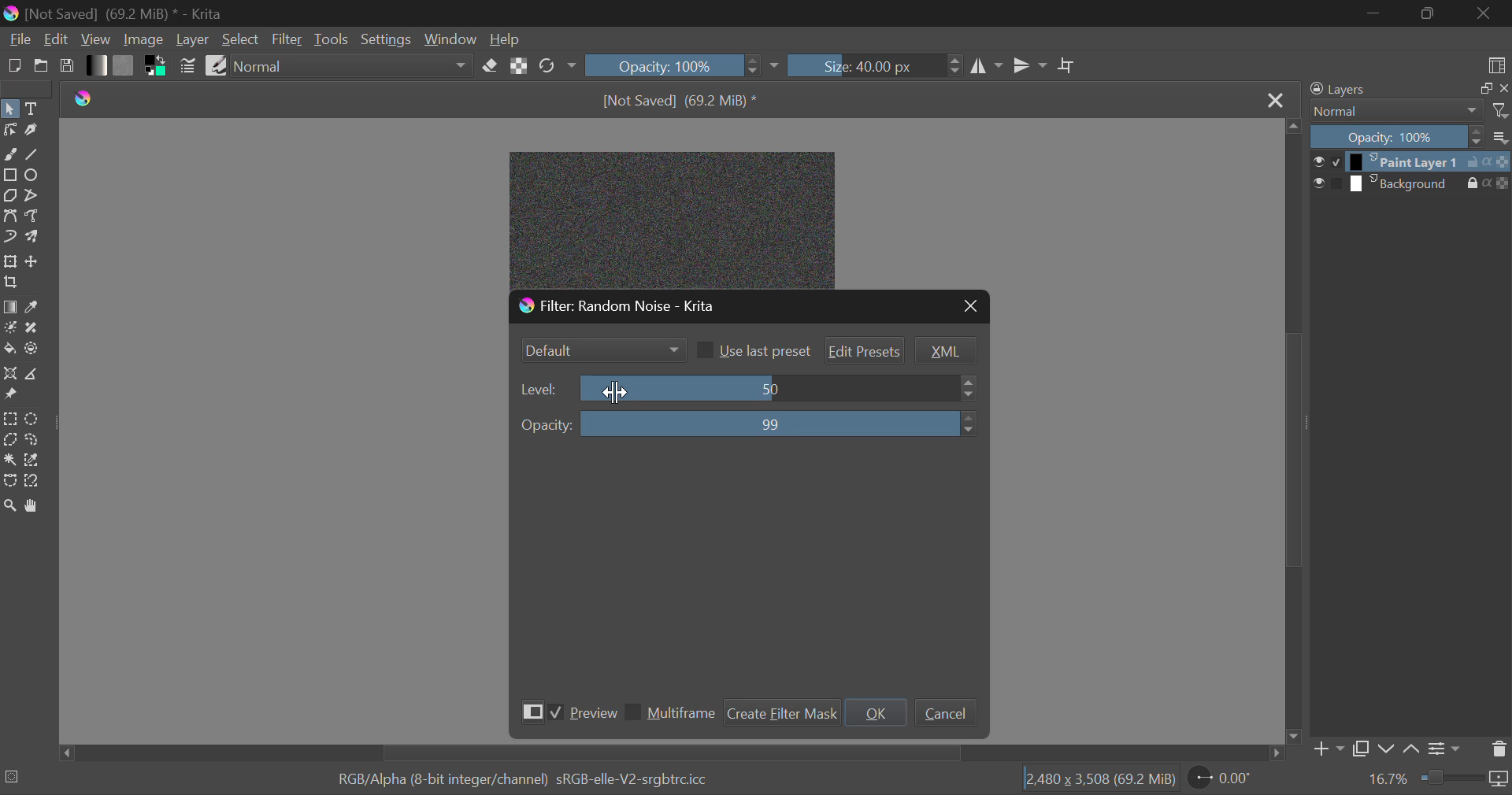  Describe the element at coordinates (1393, 111) in the screenshot. I see `Blending Mode` at that location.